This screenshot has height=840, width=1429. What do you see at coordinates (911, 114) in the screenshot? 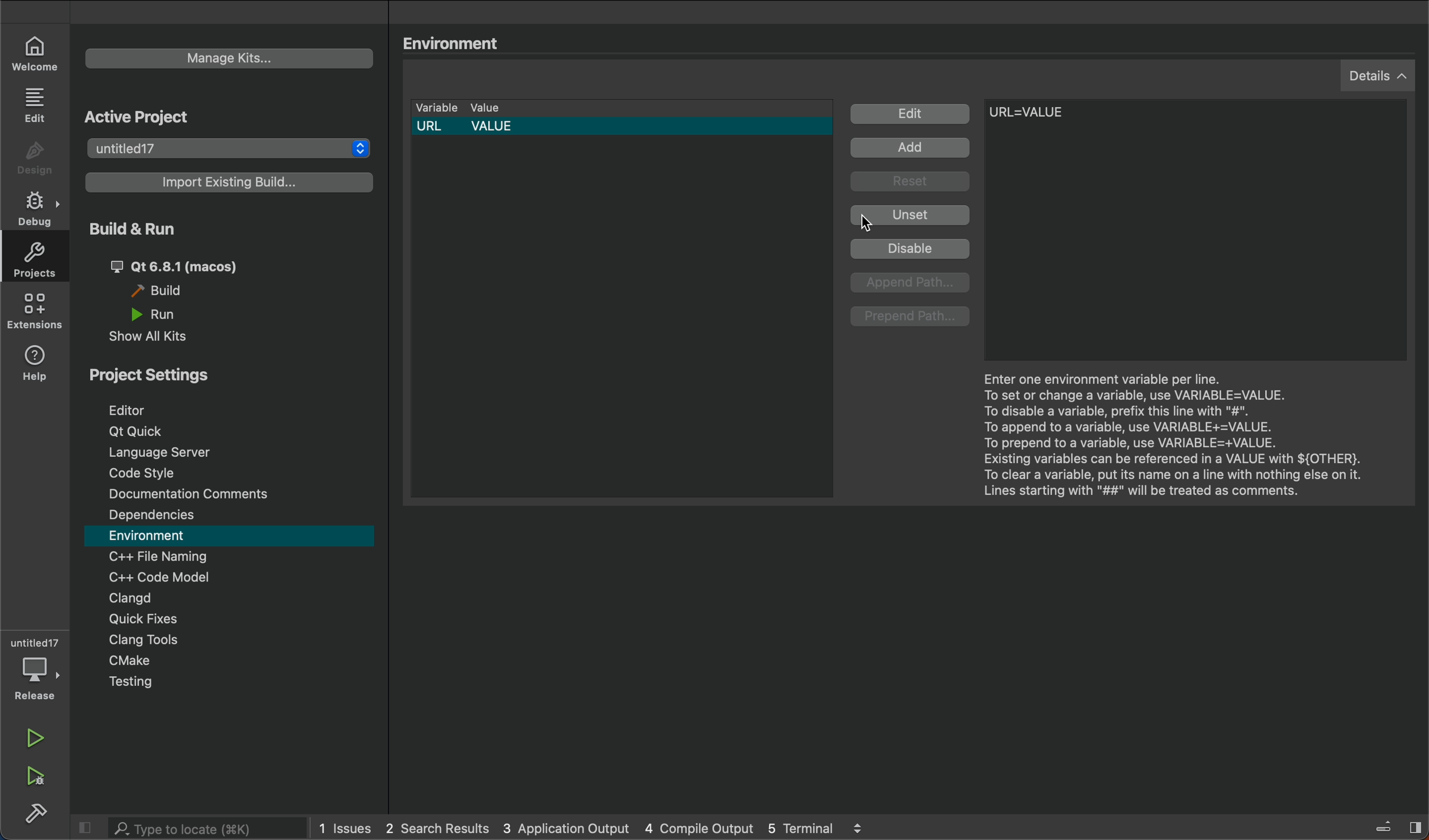
I see `edit` at bounding box center [911, 114].